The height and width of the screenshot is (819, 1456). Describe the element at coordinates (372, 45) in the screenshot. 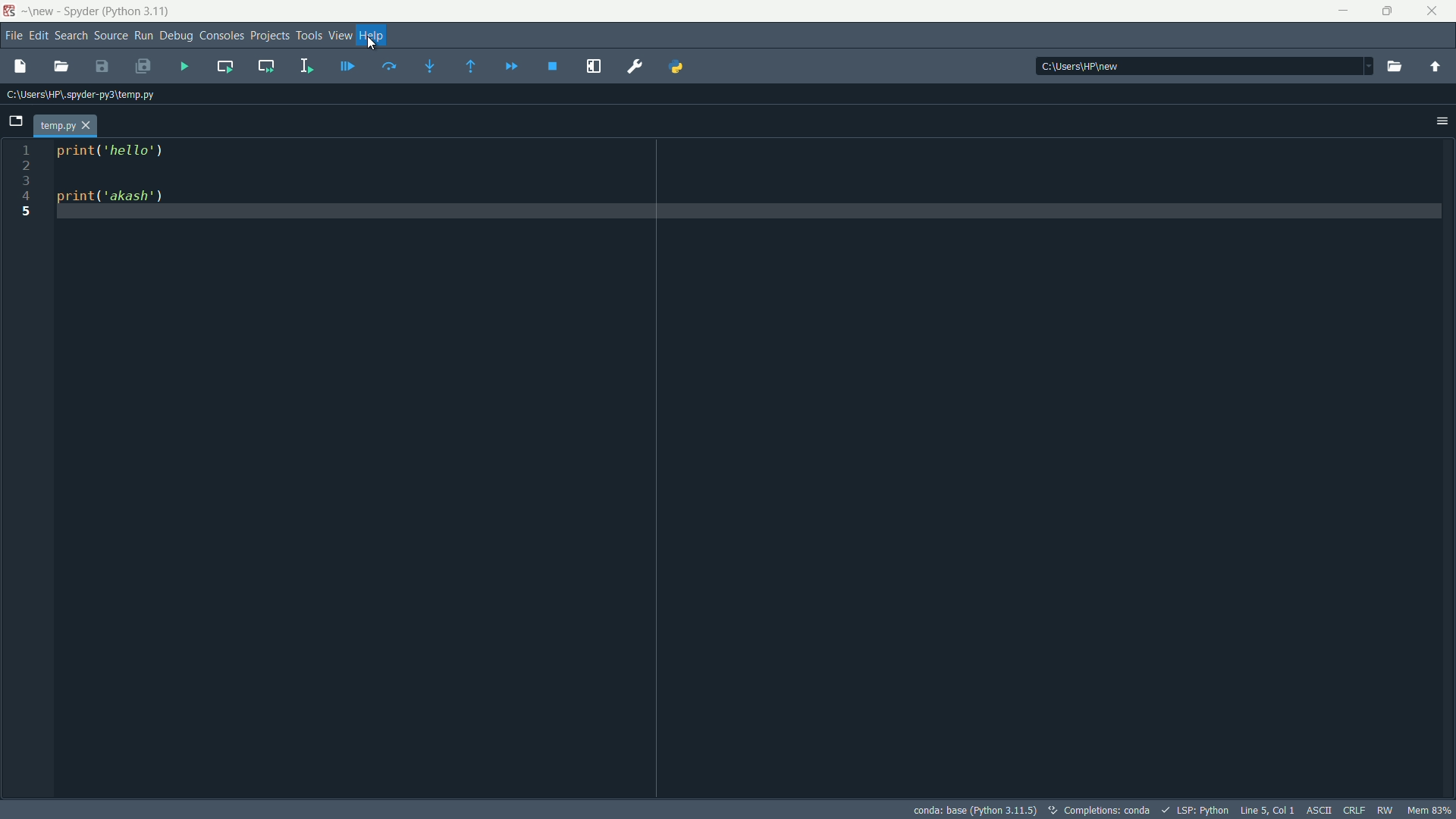

I see `Crusor` at that location.